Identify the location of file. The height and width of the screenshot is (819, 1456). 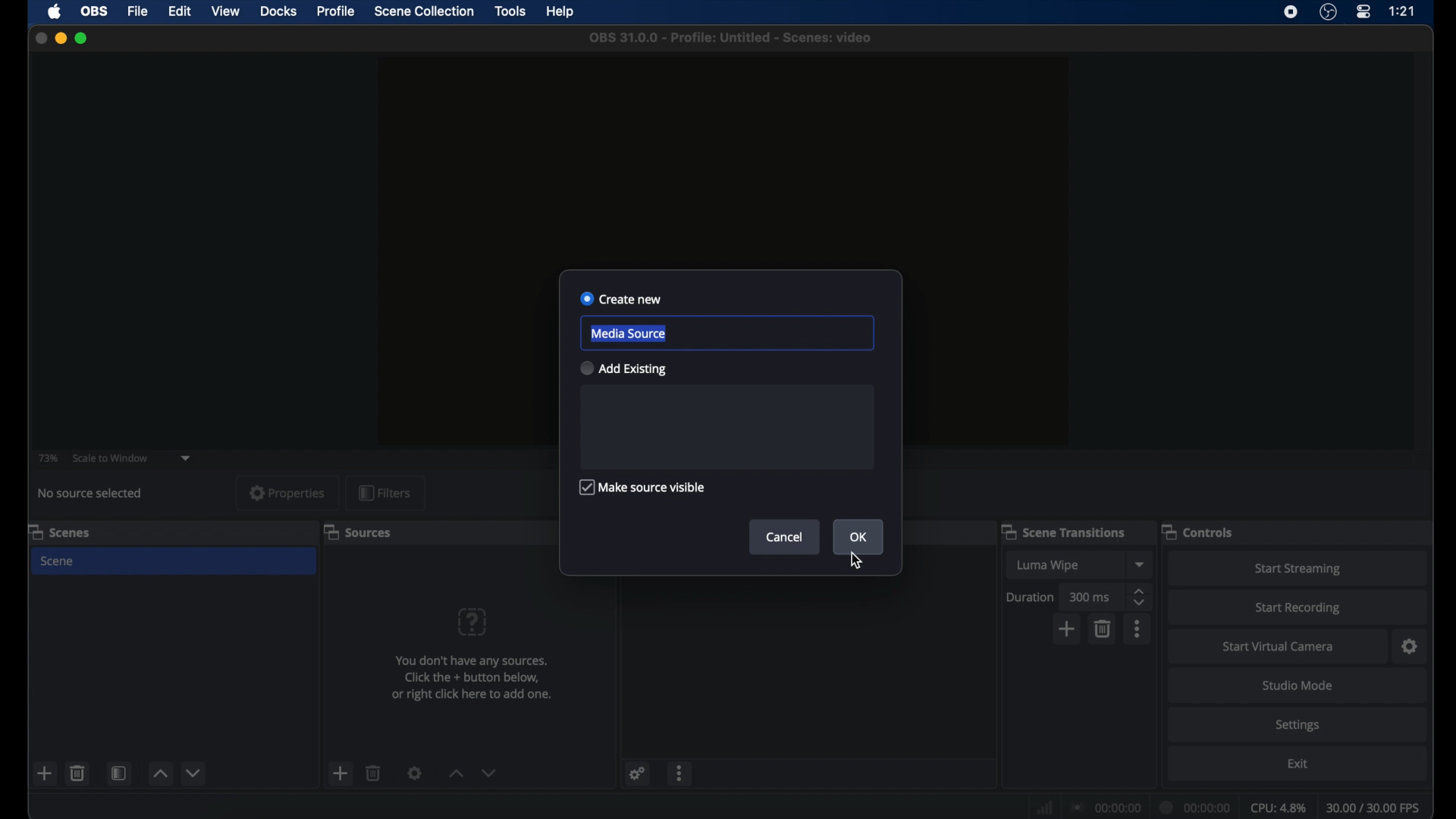
(140, 11).